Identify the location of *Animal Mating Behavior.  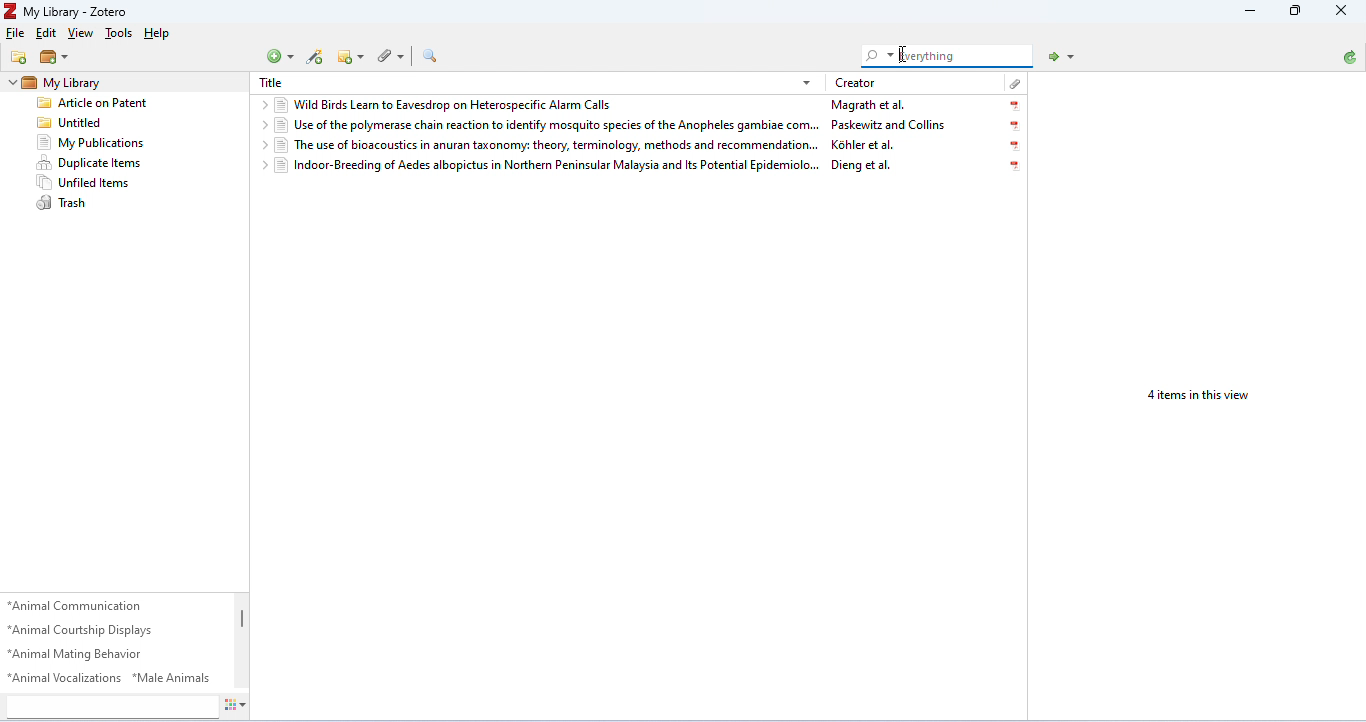
(86, 654).